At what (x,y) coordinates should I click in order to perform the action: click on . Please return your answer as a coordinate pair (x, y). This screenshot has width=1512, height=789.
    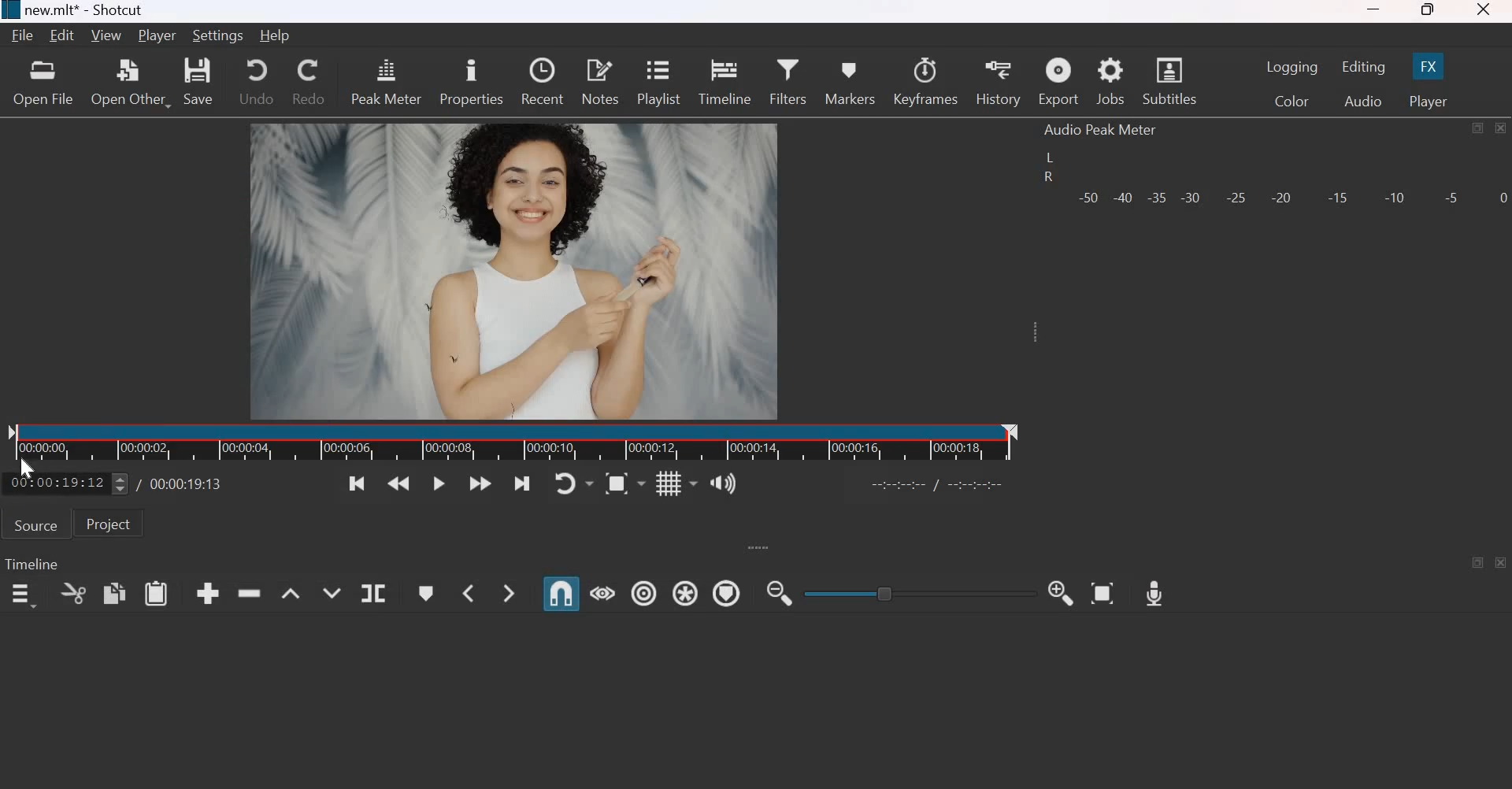
    Looking at the image, I should click on (9, 10).